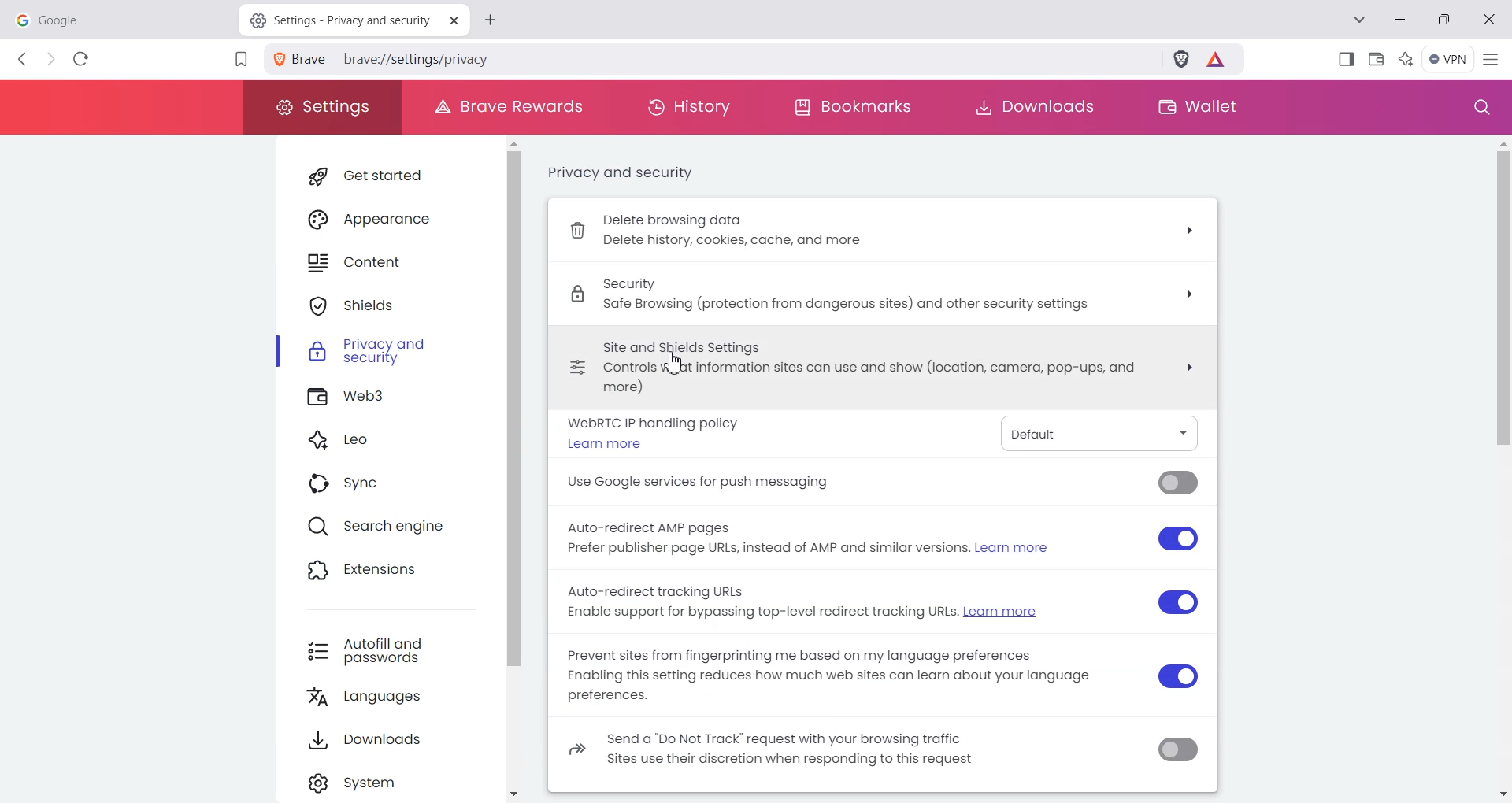 Image resolution: width=1512 pixels, height=803 pixels. I want to click on Privacy and security, so click(390, 354).